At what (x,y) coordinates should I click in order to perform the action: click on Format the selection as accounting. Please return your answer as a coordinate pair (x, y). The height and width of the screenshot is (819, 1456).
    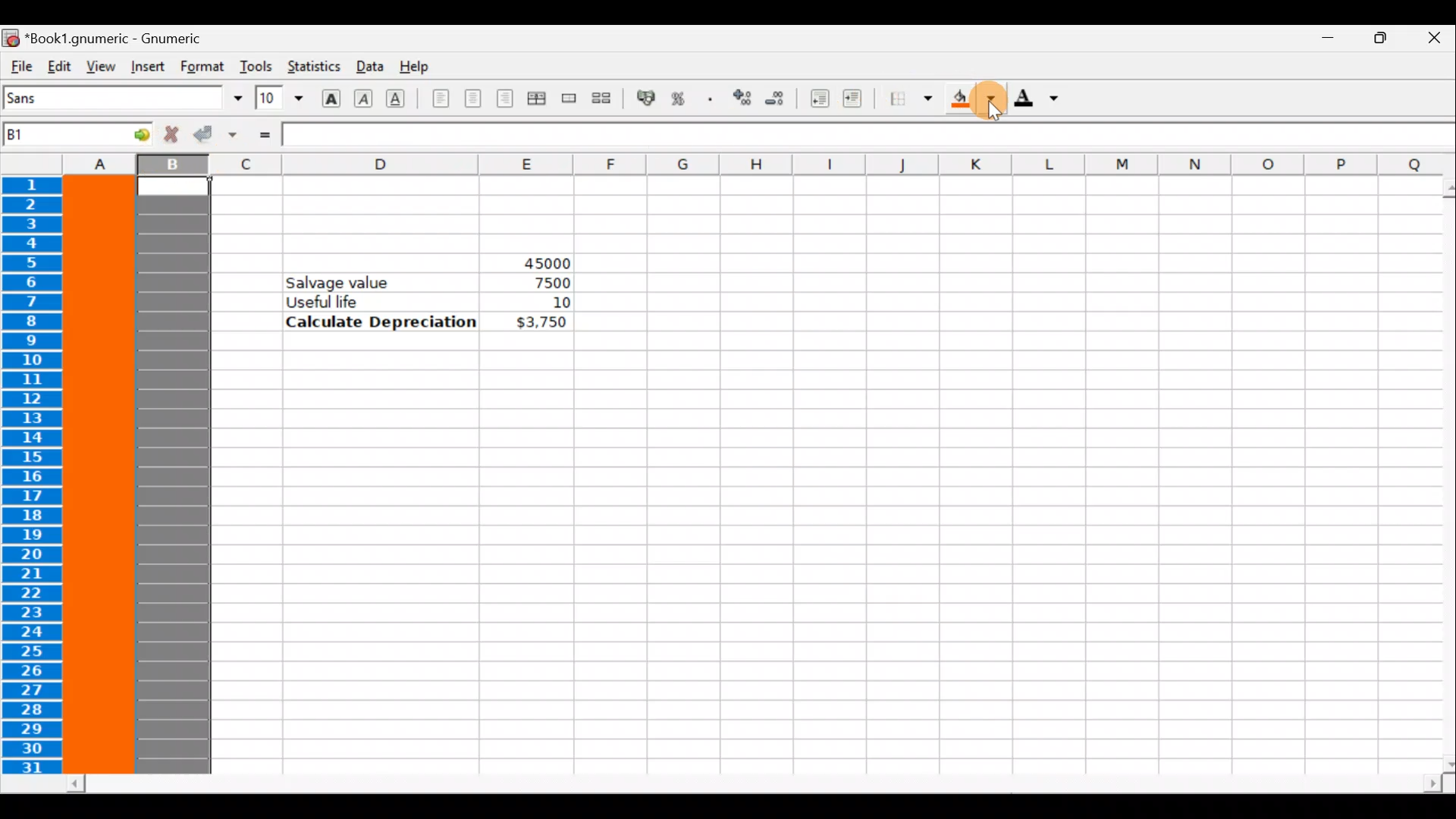
    Looking at the image, I should click on (647, 100).